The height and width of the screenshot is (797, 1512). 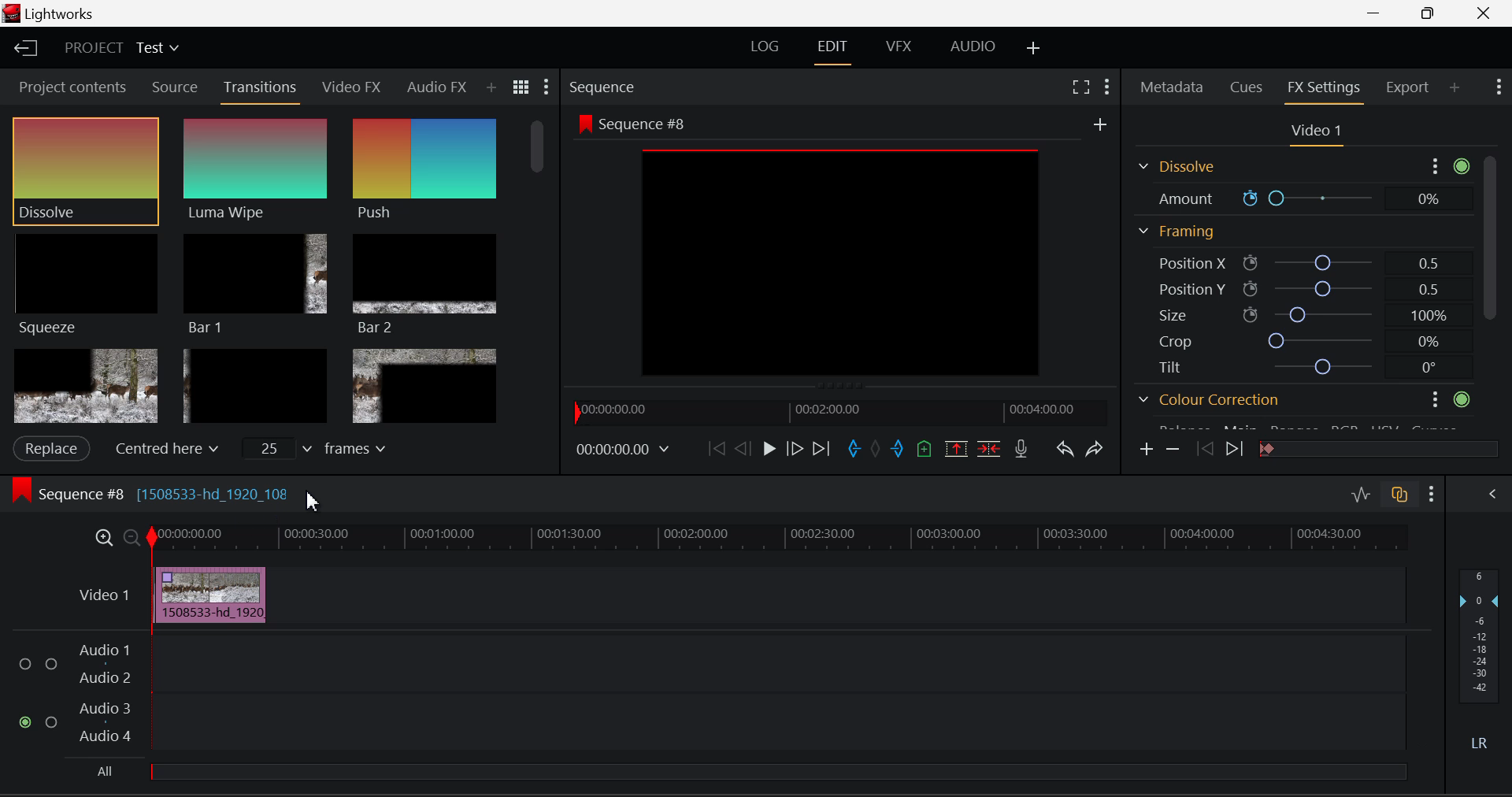 I want to click on Decibel Level, so click(x=1484, y=662).